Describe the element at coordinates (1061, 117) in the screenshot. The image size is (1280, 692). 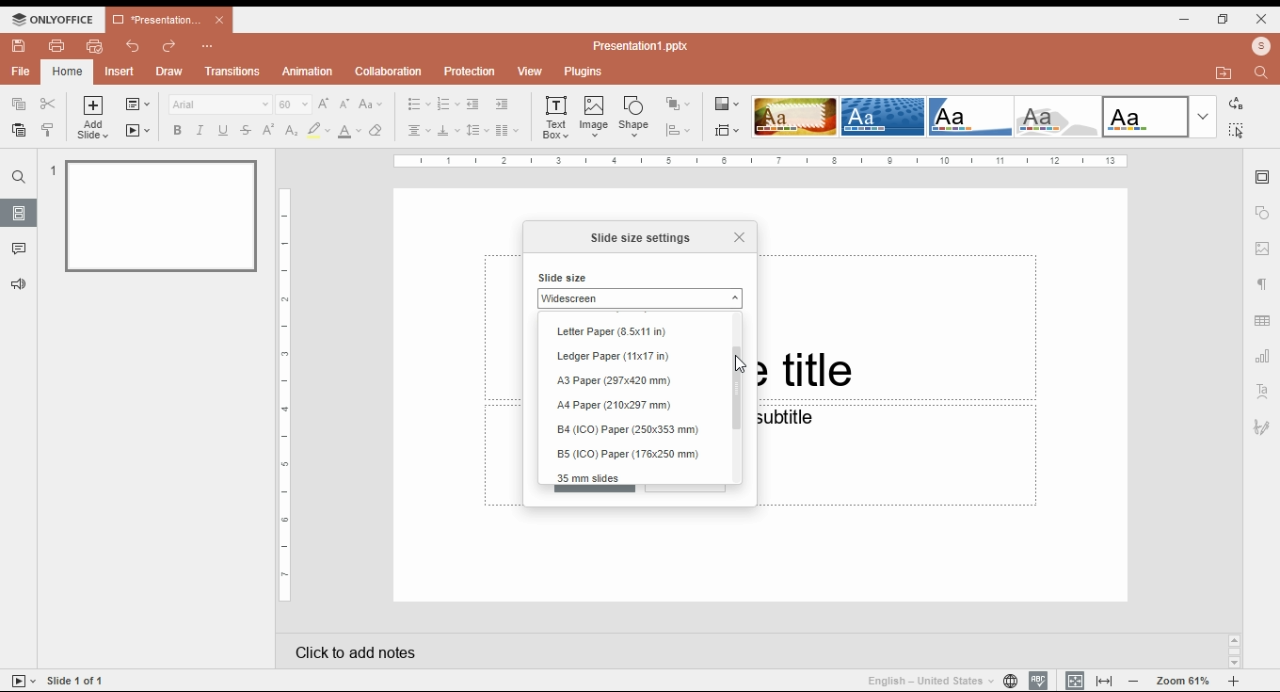
I see `slide them option` at that location.